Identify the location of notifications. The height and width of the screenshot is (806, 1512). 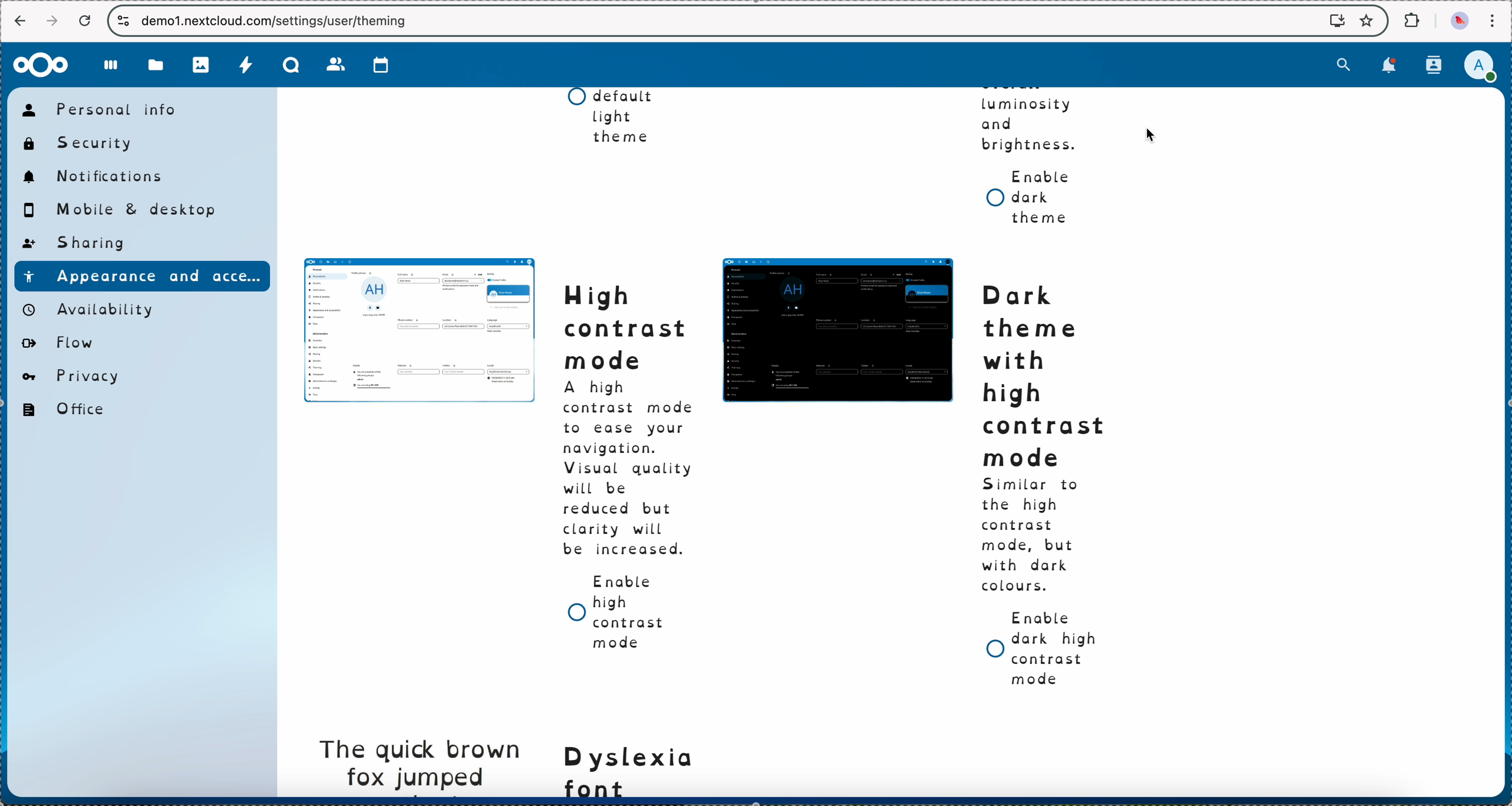
(1387, 67).